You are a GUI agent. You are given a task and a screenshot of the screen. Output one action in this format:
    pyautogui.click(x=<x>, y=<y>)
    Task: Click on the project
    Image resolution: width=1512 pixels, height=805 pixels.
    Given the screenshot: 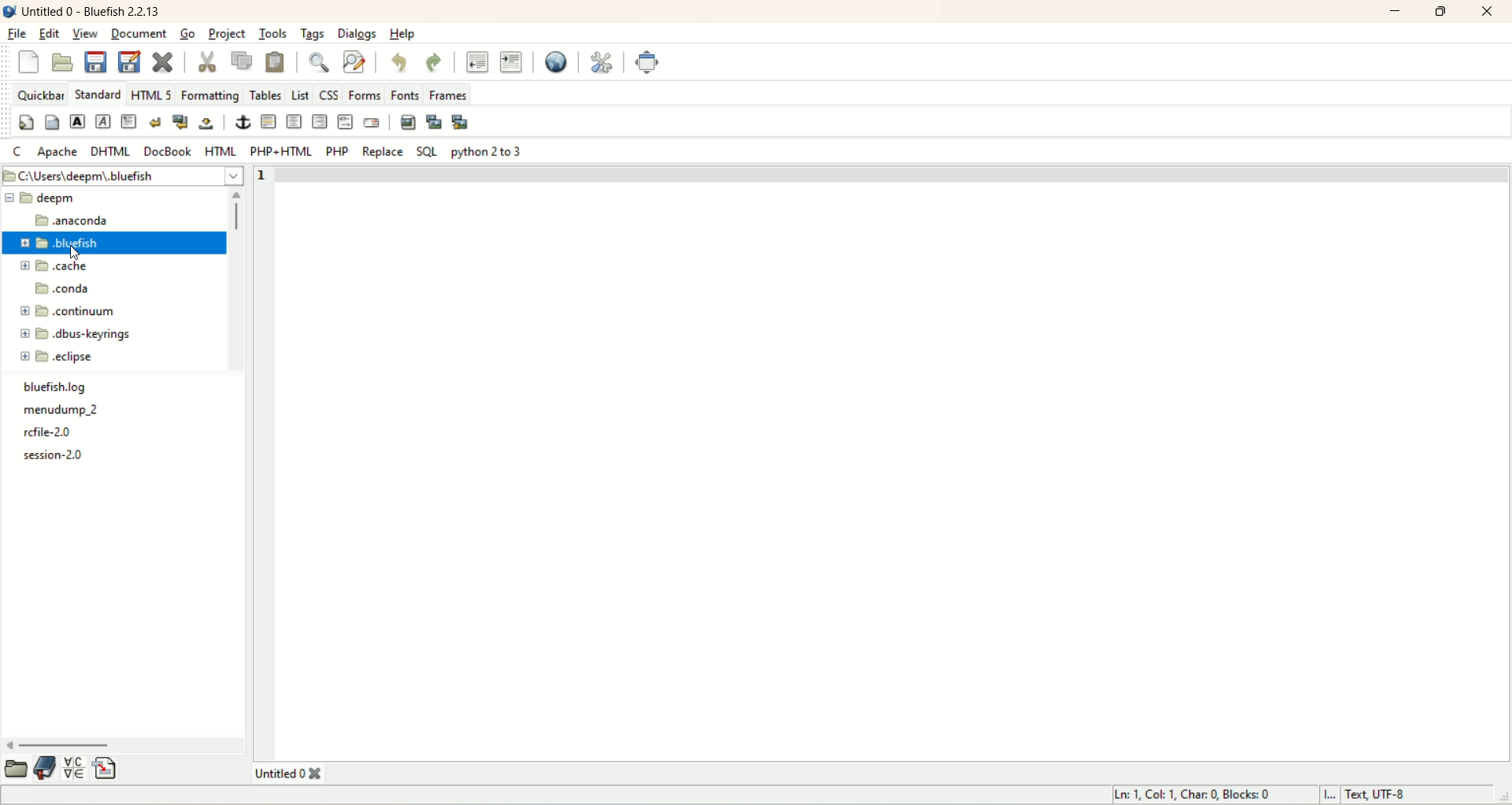 What is the action you would take?
    pyautogui.click(x=229, y=35)
    